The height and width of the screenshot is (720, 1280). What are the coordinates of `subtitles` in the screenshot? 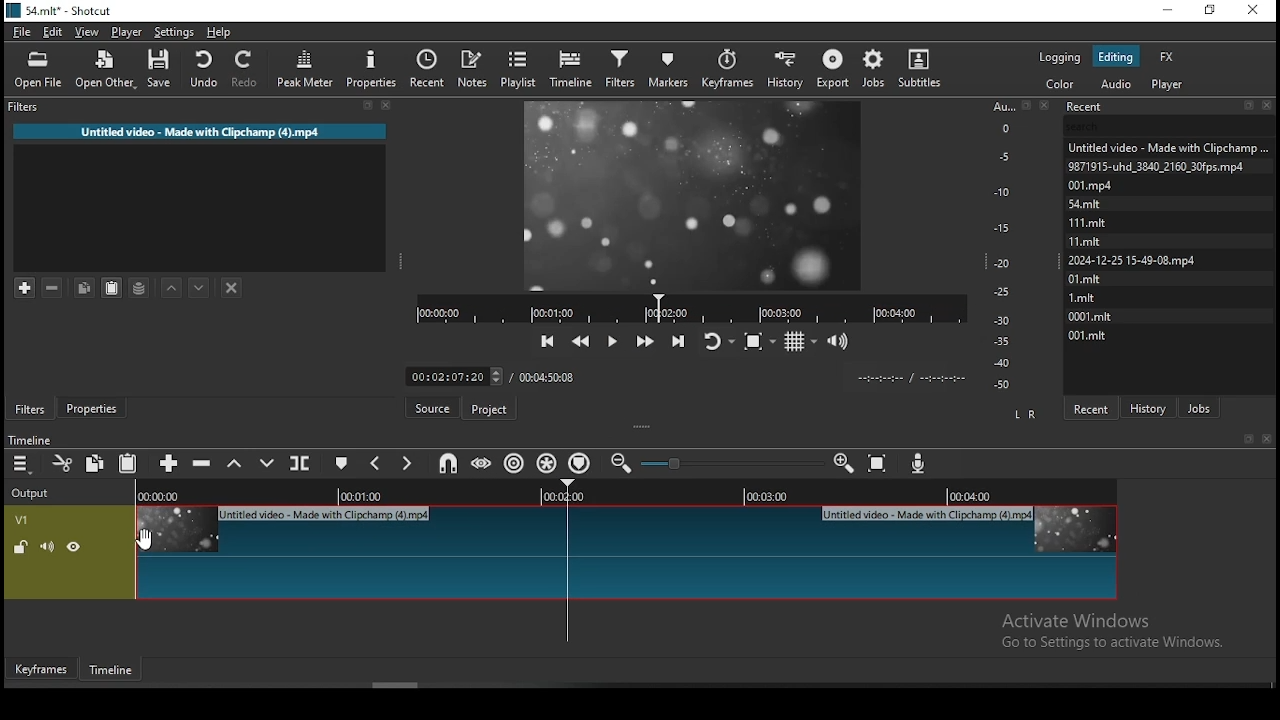 It's located at (922, 66).